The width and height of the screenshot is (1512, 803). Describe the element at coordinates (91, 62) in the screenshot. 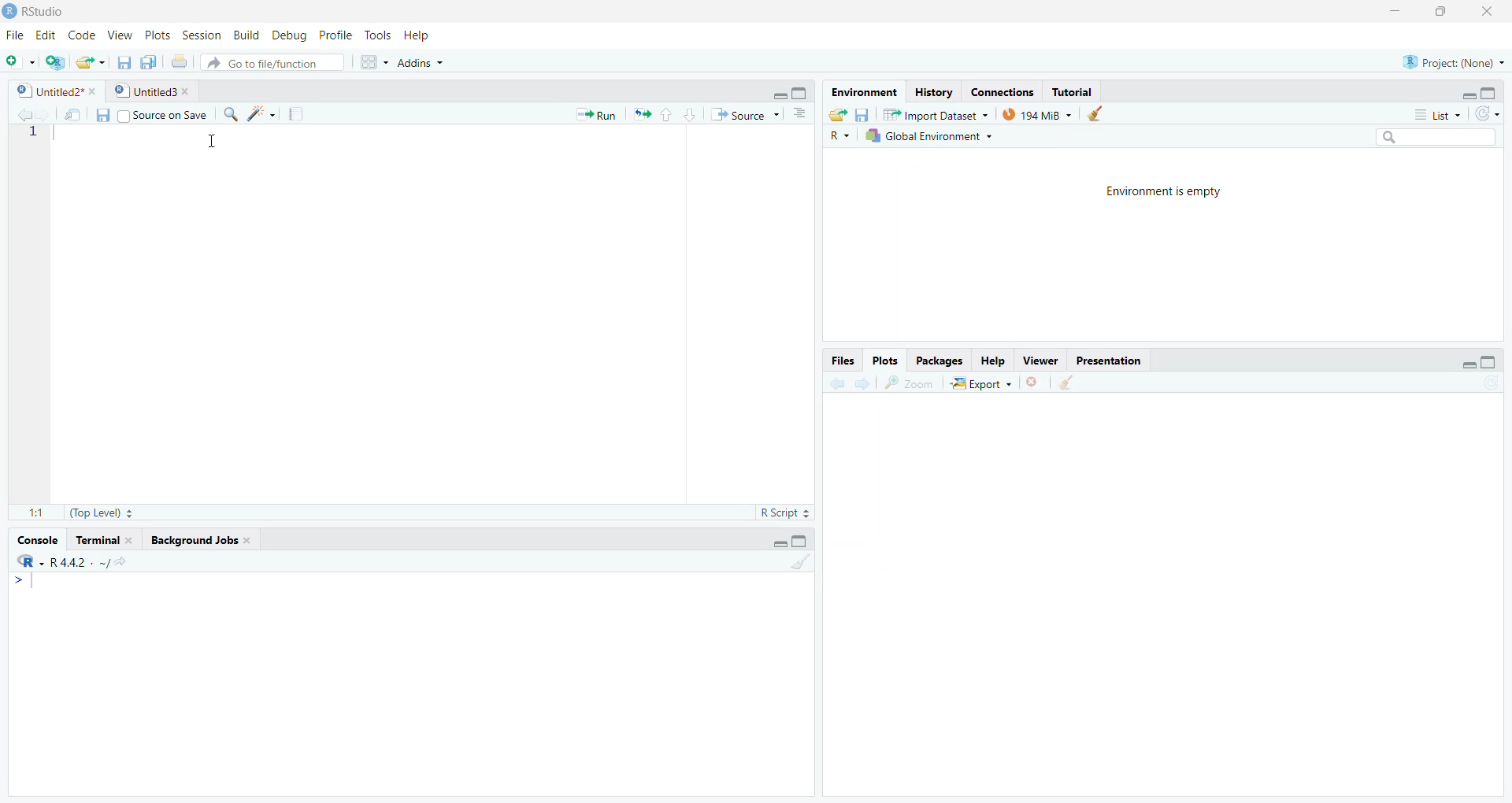

I see `open an exist file` at that location.